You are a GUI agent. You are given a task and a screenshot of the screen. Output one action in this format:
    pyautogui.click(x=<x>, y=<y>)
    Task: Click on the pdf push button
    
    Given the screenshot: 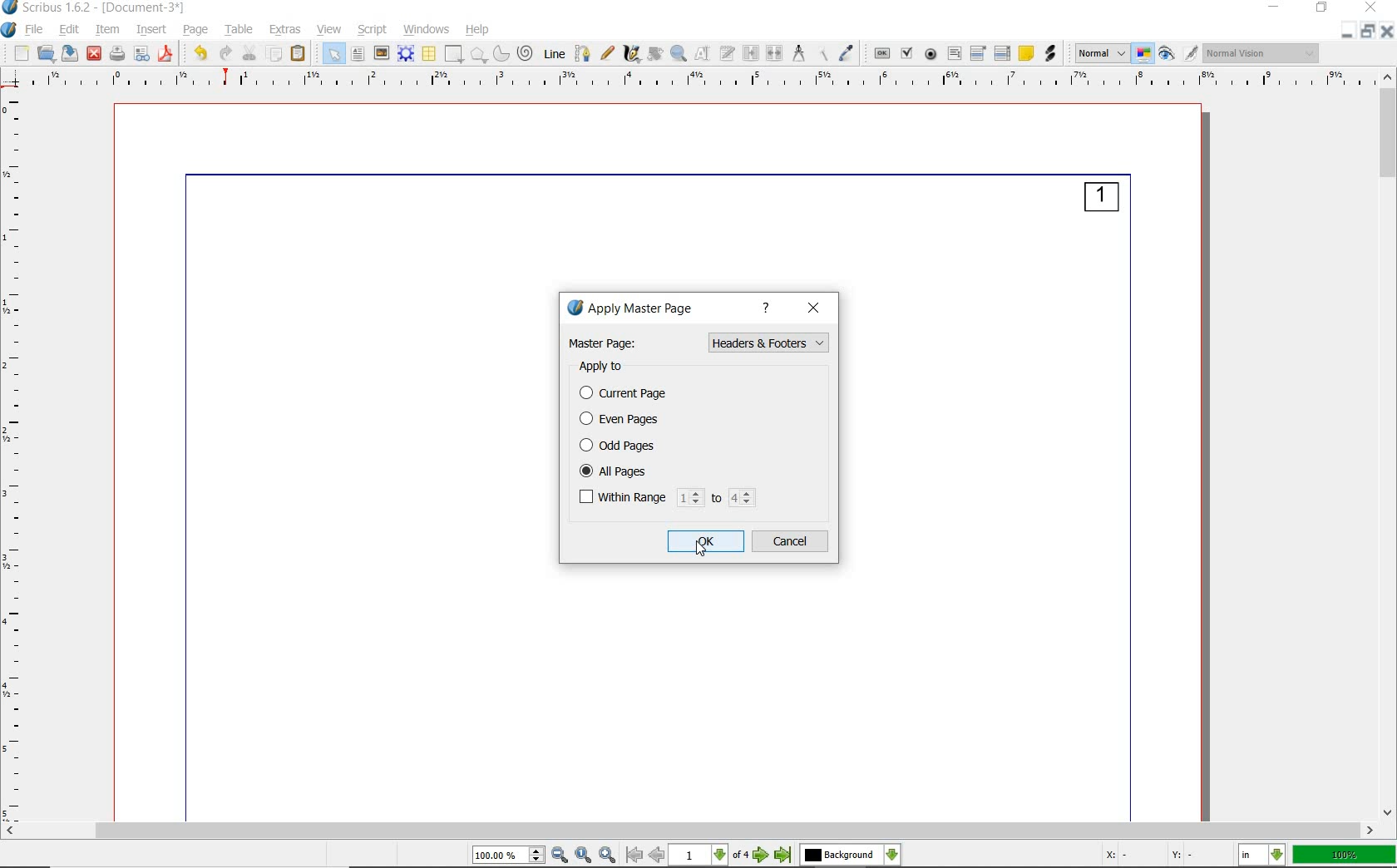 What is the action you would take?
    pyautogui.click(x=881, y=52)
    